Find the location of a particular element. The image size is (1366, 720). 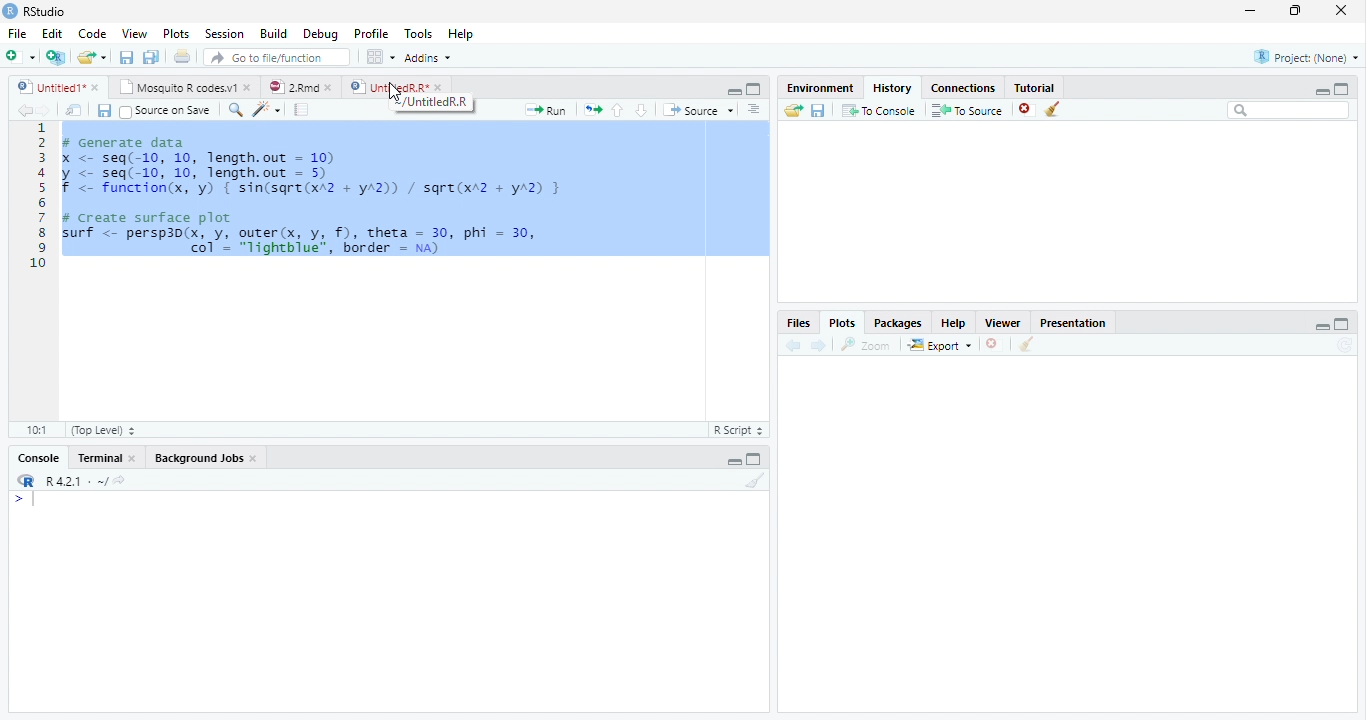

close is located at coordinates (96, 87).